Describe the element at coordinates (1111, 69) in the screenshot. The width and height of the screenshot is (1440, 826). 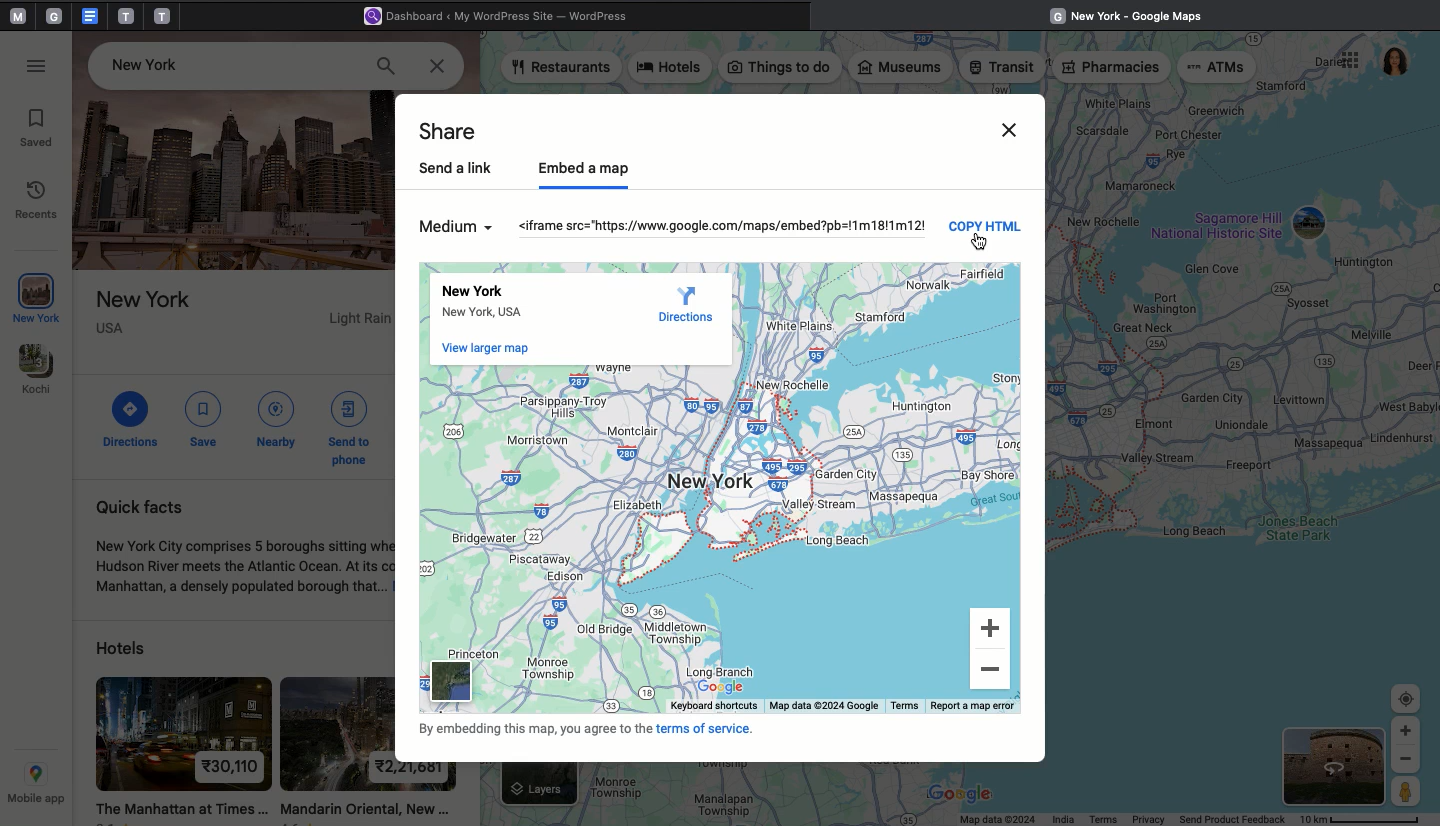
I see `Pharmacies` at that location.